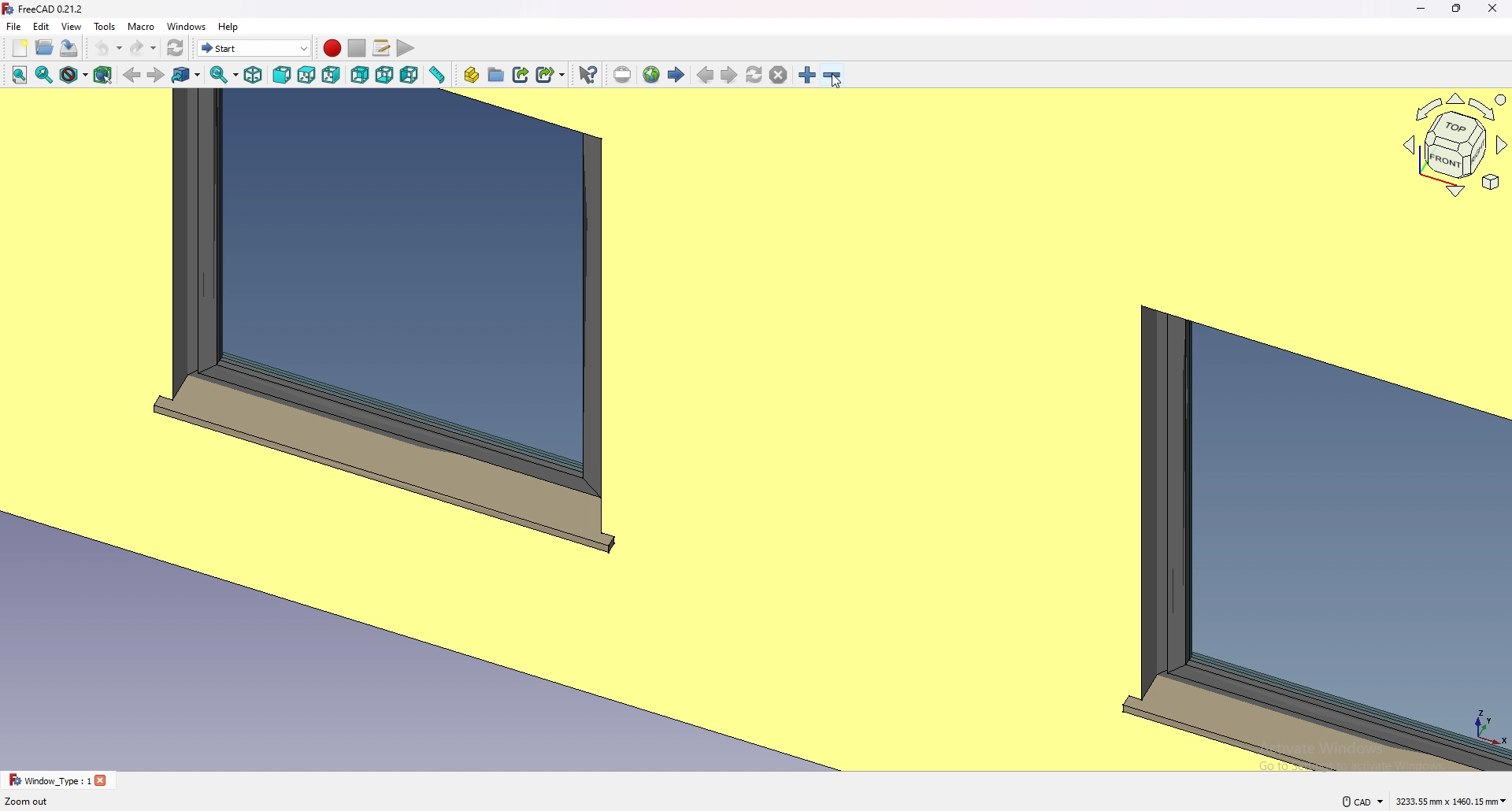 The width and height of the screenshot is (1512, 811). What do you see at coordinates (521, 74) in the screenshot?
I see `make link` at bounding box center [521, 74].